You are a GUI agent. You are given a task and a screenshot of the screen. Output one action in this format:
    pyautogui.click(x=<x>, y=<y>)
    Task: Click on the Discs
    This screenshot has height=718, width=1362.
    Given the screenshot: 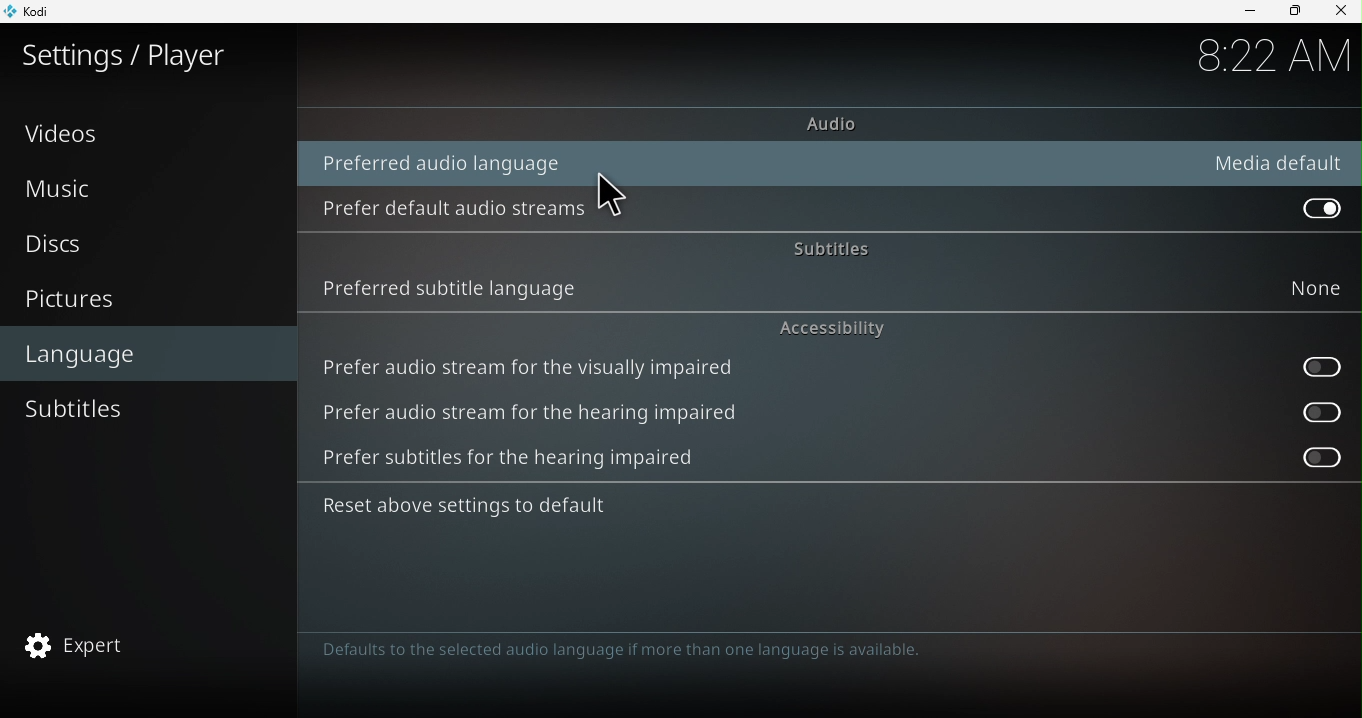 What is the action you would take?
    pyautogui.click(x=140, y=248)
    